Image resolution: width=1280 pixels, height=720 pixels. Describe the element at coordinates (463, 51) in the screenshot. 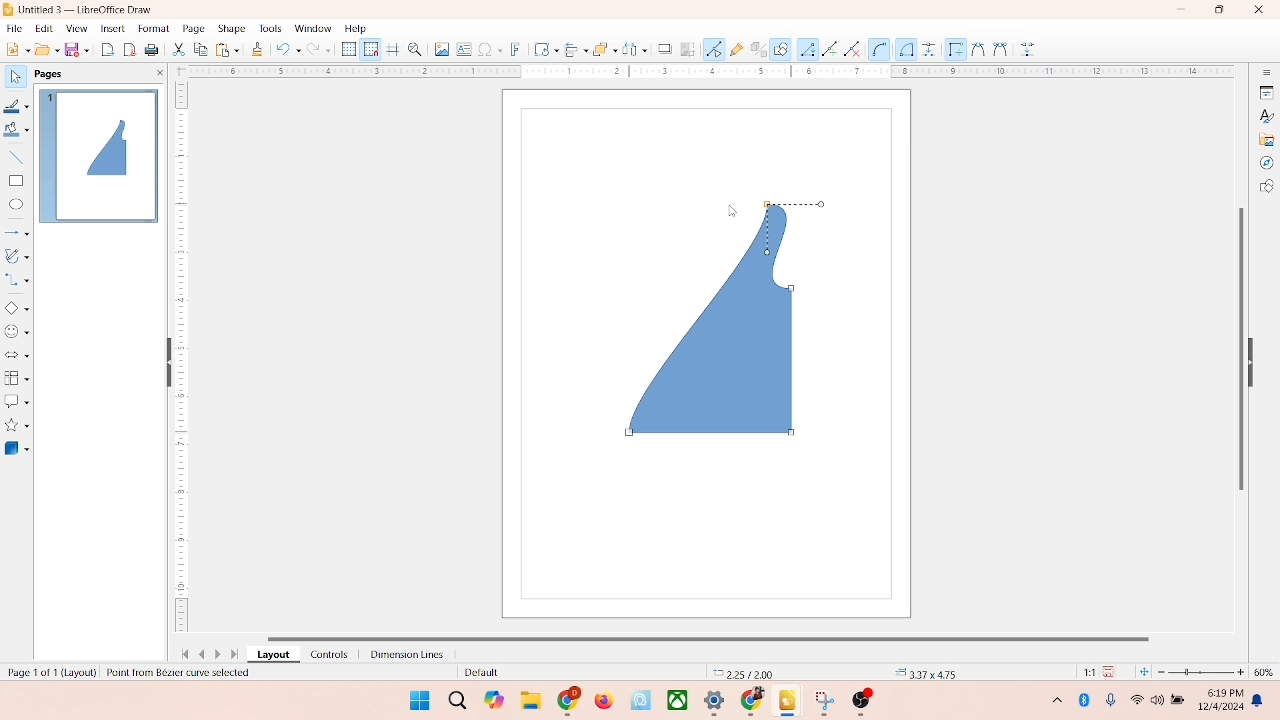

I see `textbox` at that location.